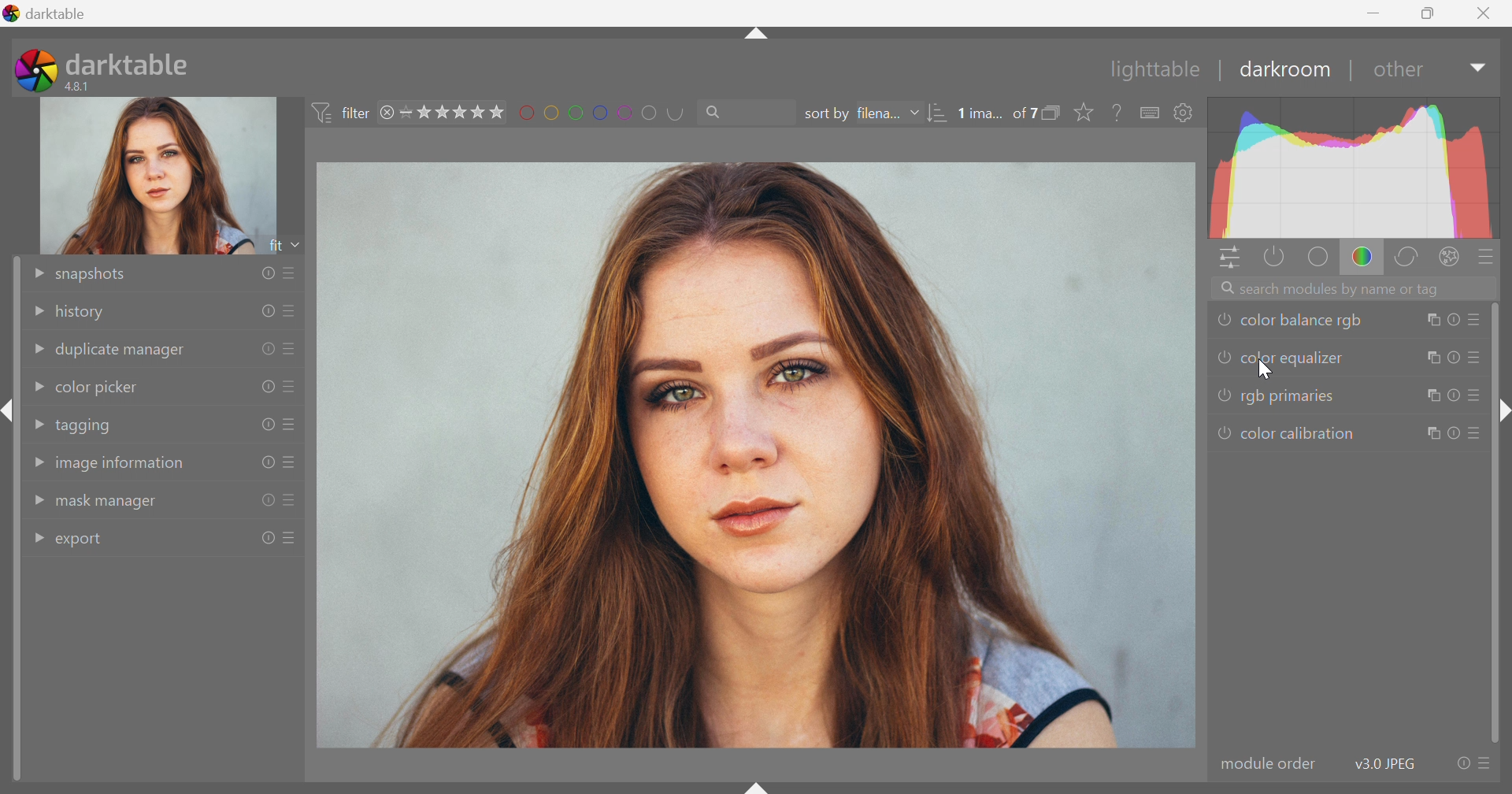  I want to click on sort, so click(937, 114).